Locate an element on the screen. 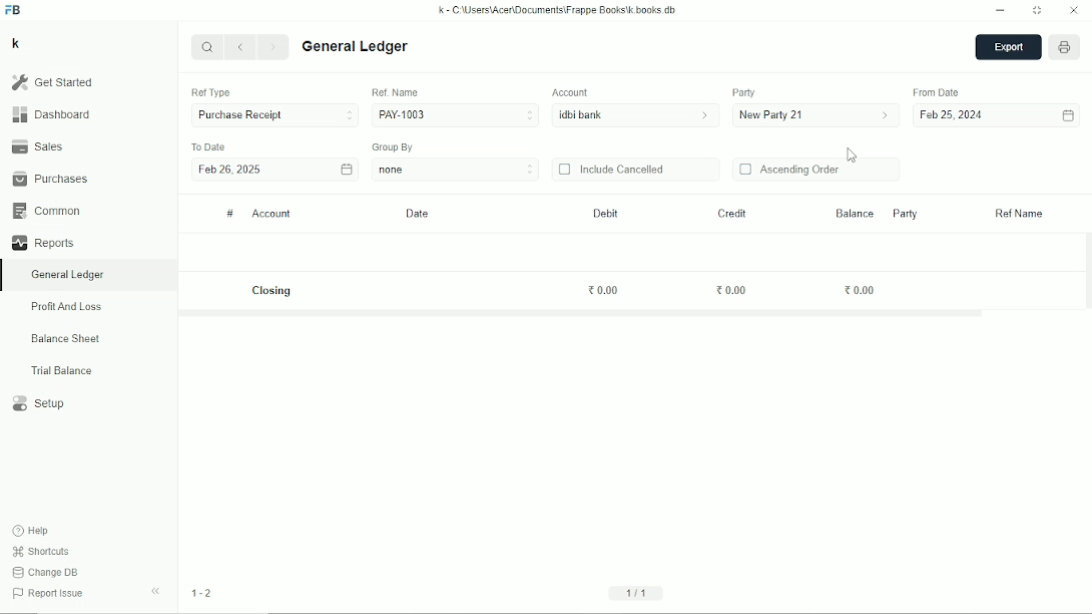  New Party 21 is located at coordinates (816, 116).